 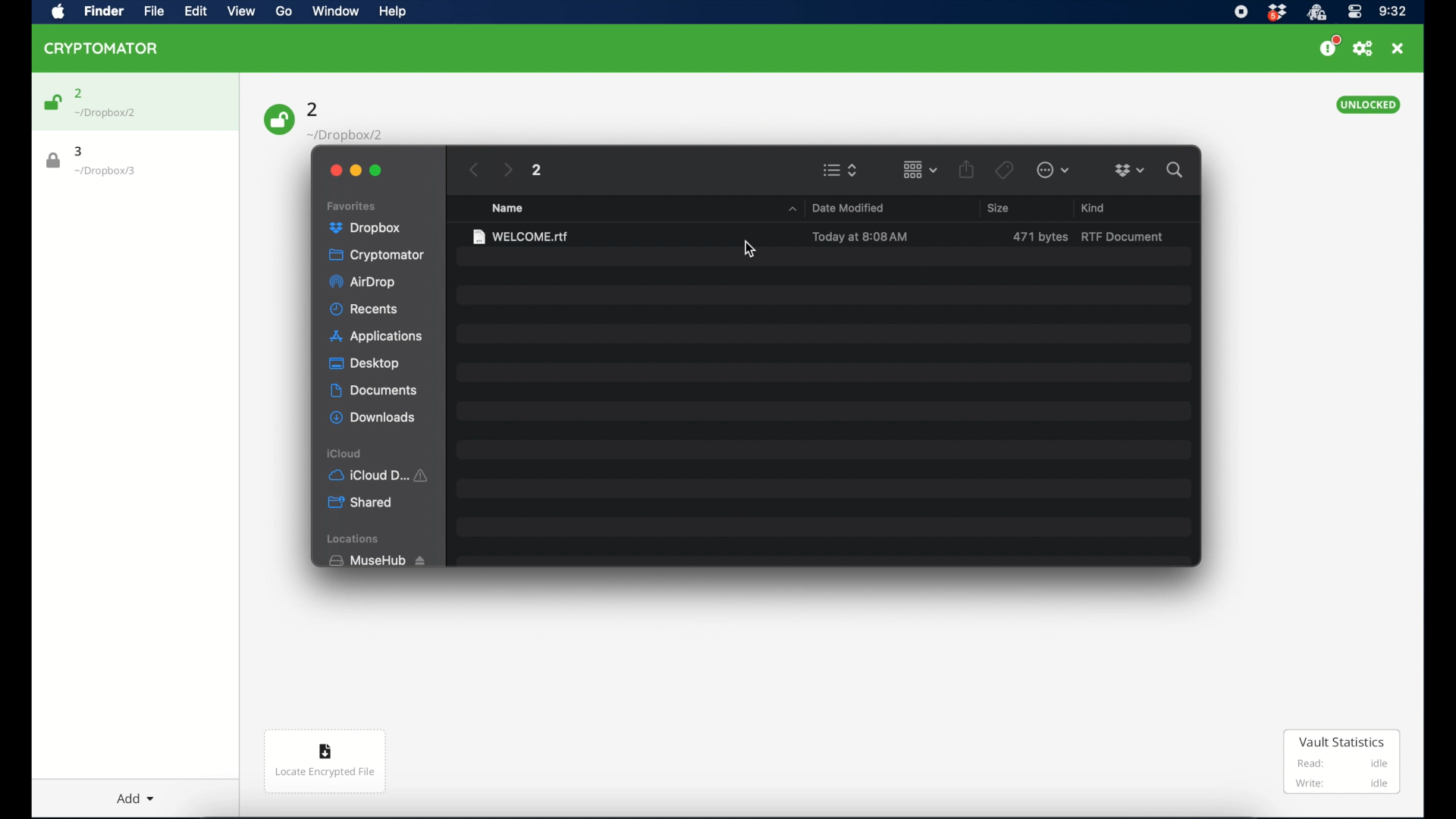 I want to click on documents, so click(x=375, y=391).